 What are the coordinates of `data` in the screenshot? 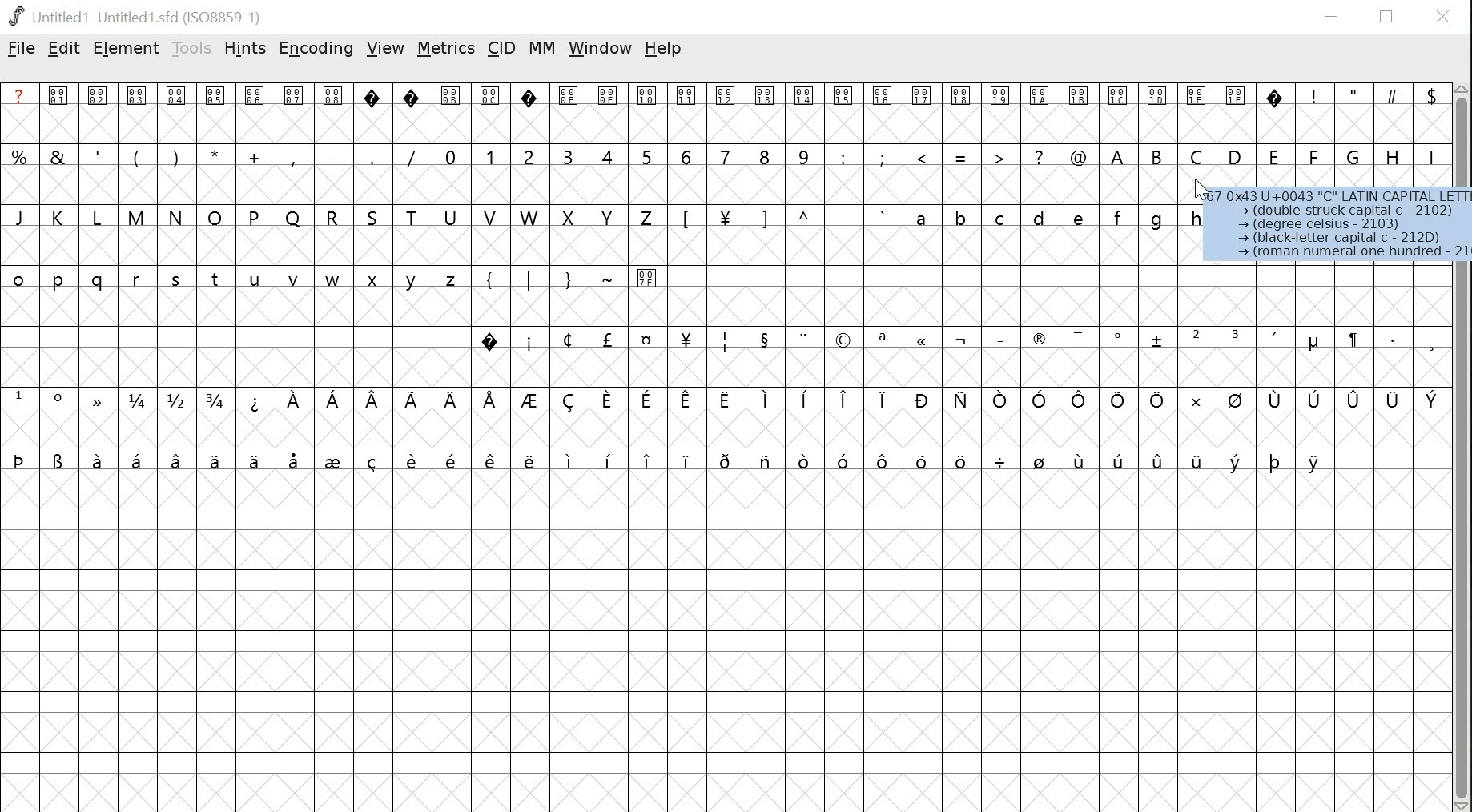 It's located at (1338, 224).